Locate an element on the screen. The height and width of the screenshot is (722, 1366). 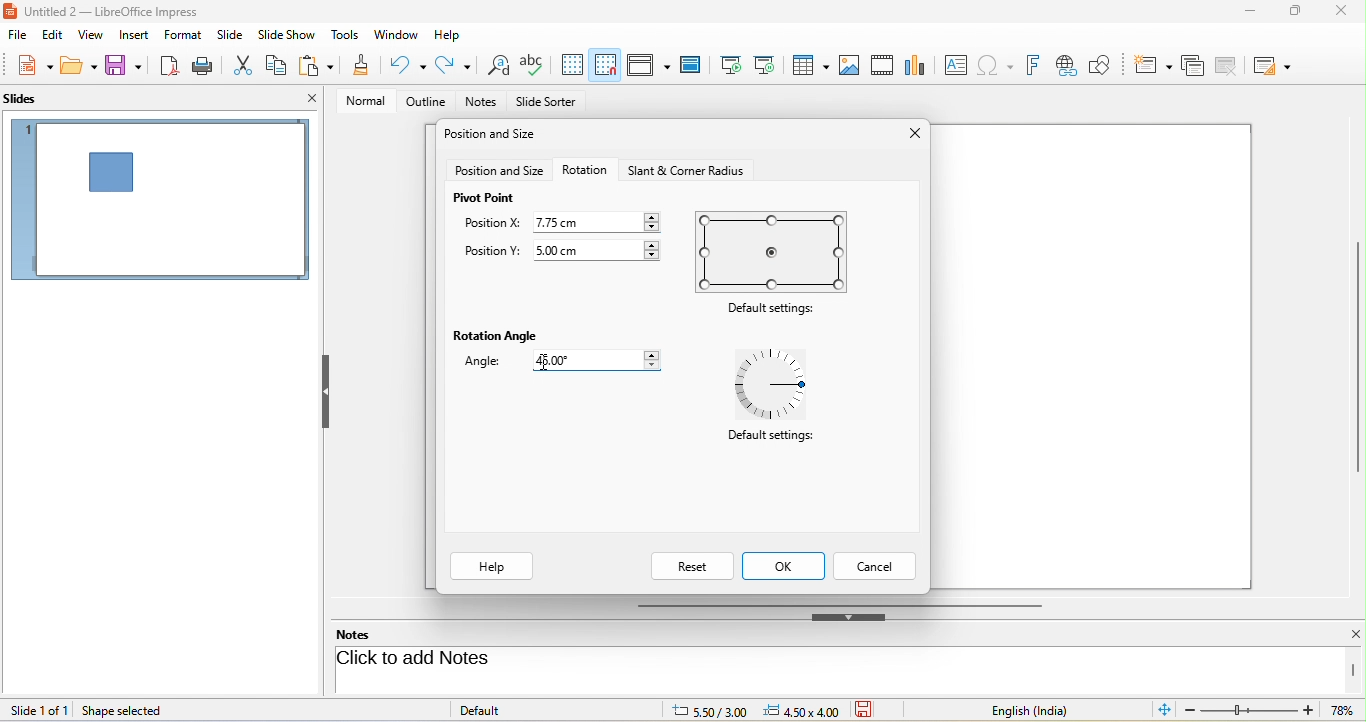
click to add notes is located at coordinates (492, 660).